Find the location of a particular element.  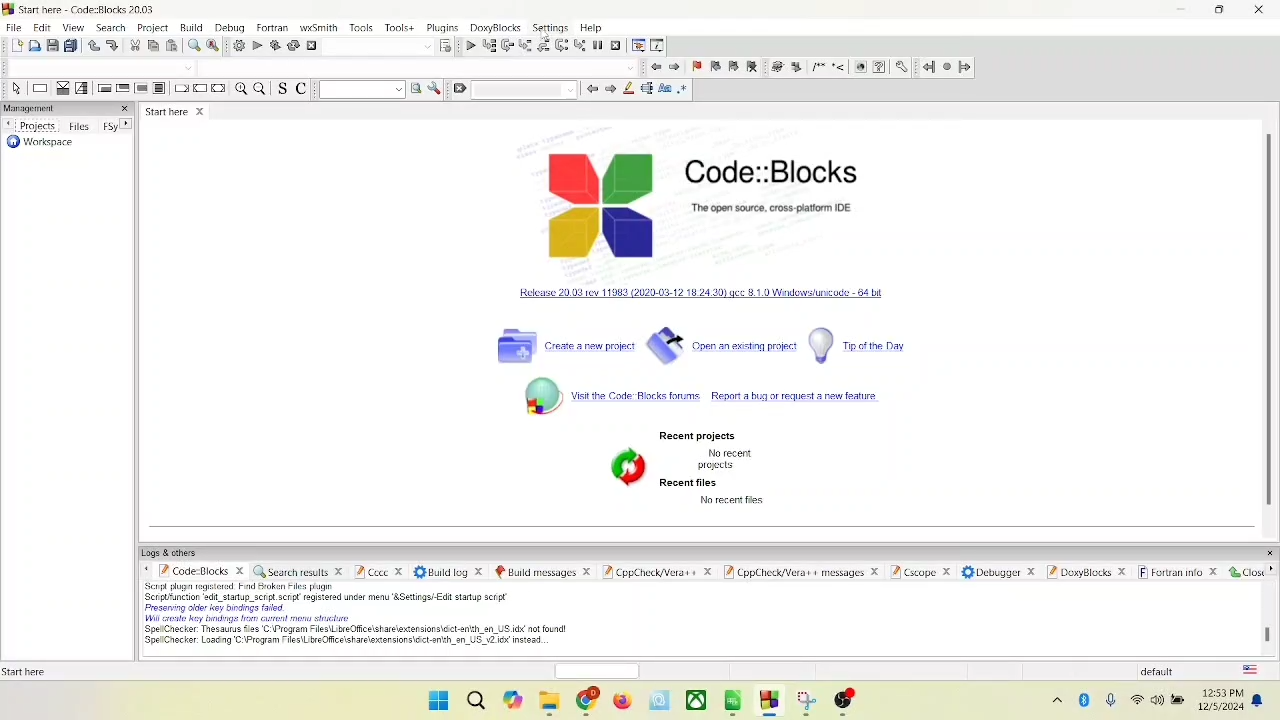

back is located at coordinates (656, 66).